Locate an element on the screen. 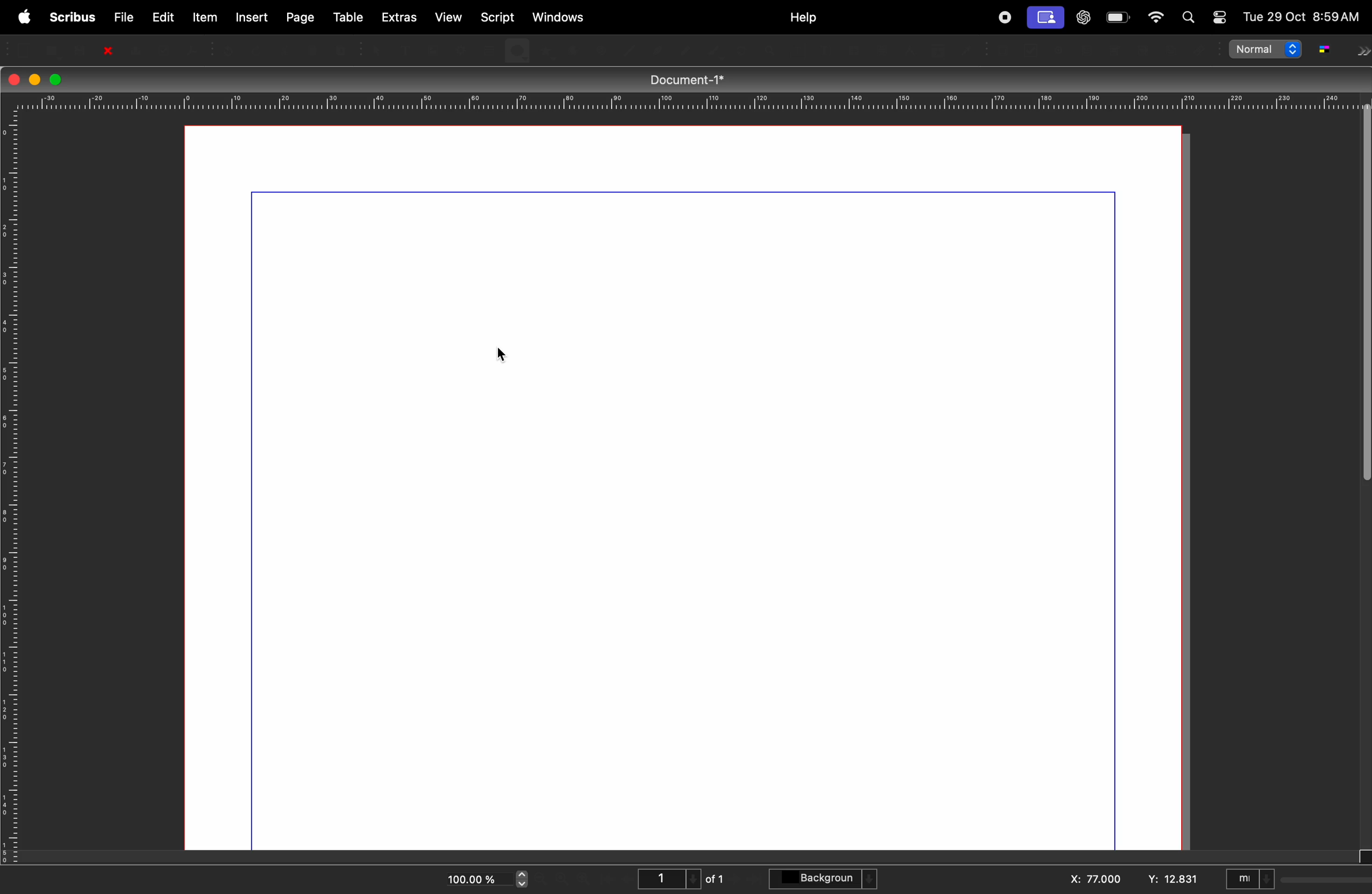 This screenshot has width=1372, height=894. maximize is located at coordinates (57, 80).